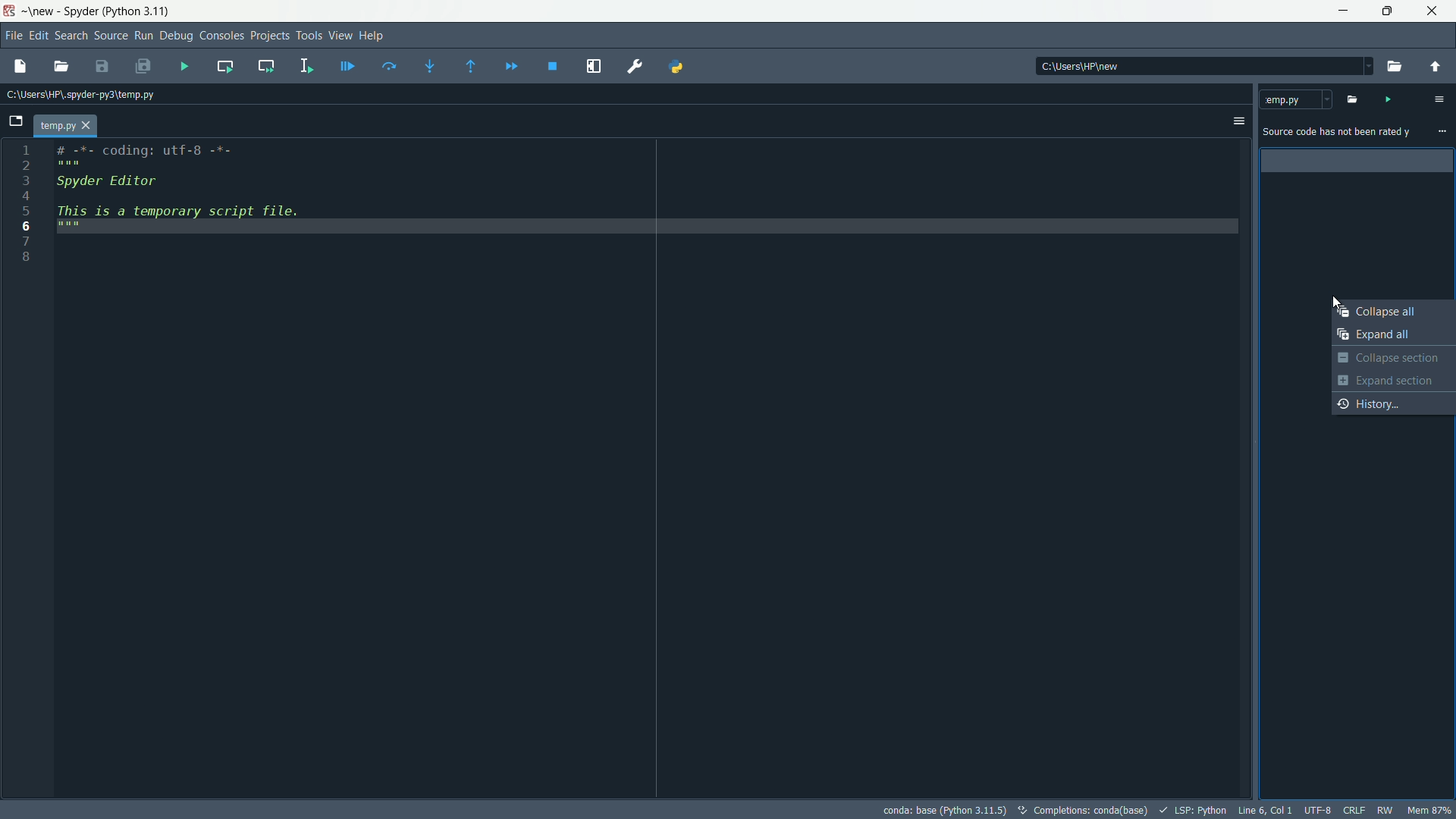 This screenshot has width=1456, height=819. I want to click on close app, so click(1435, 11).